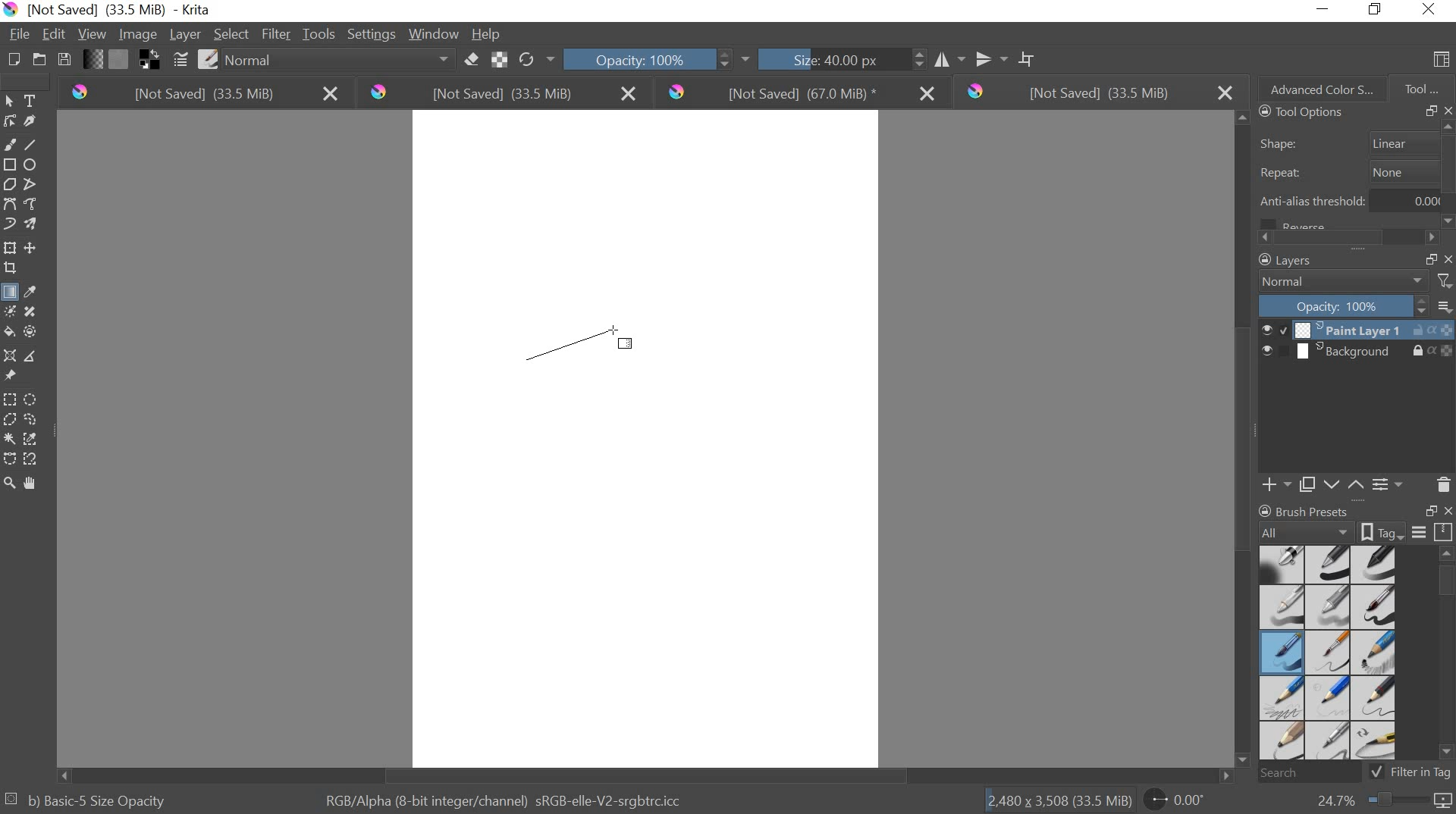  What do you see at coordinates (138, 36) in the screenshot?
I see `IMAGE` at bounding box center [138, 36].